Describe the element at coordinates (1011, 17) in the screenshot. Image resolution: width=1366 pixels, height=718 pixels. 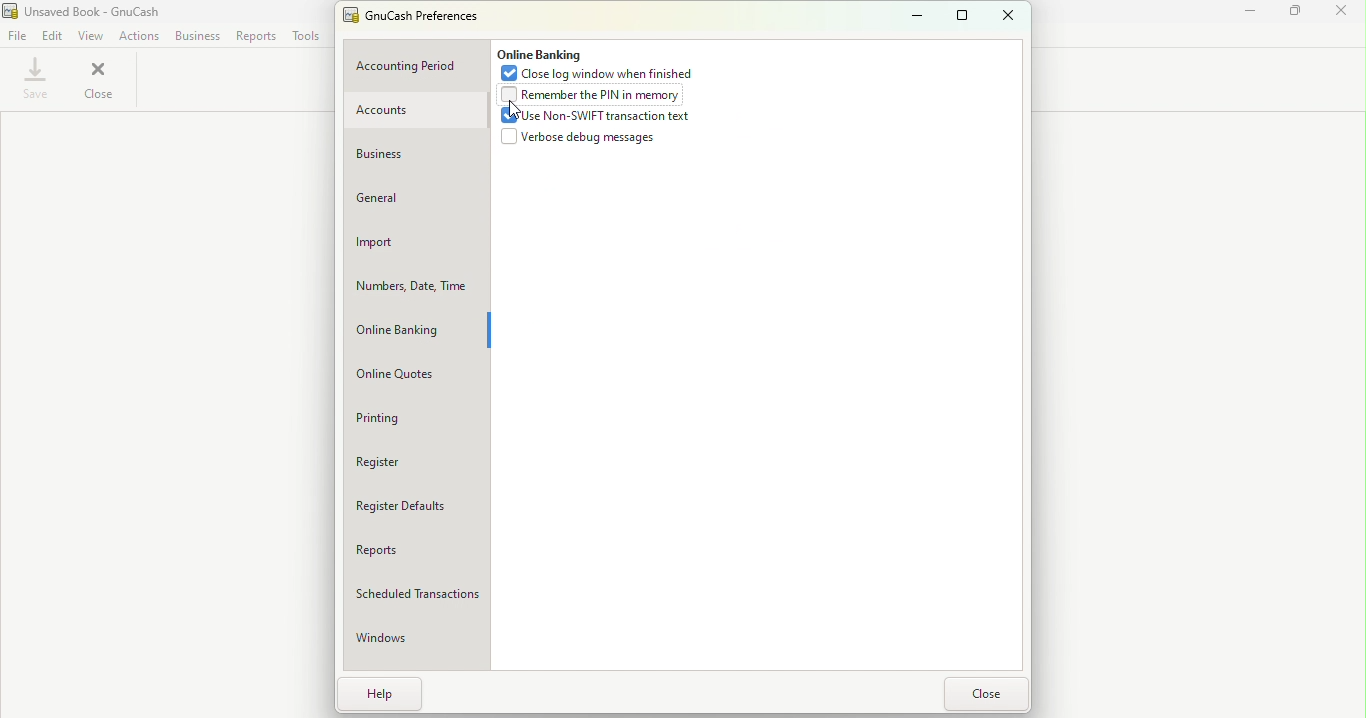
I see `close` at that location.